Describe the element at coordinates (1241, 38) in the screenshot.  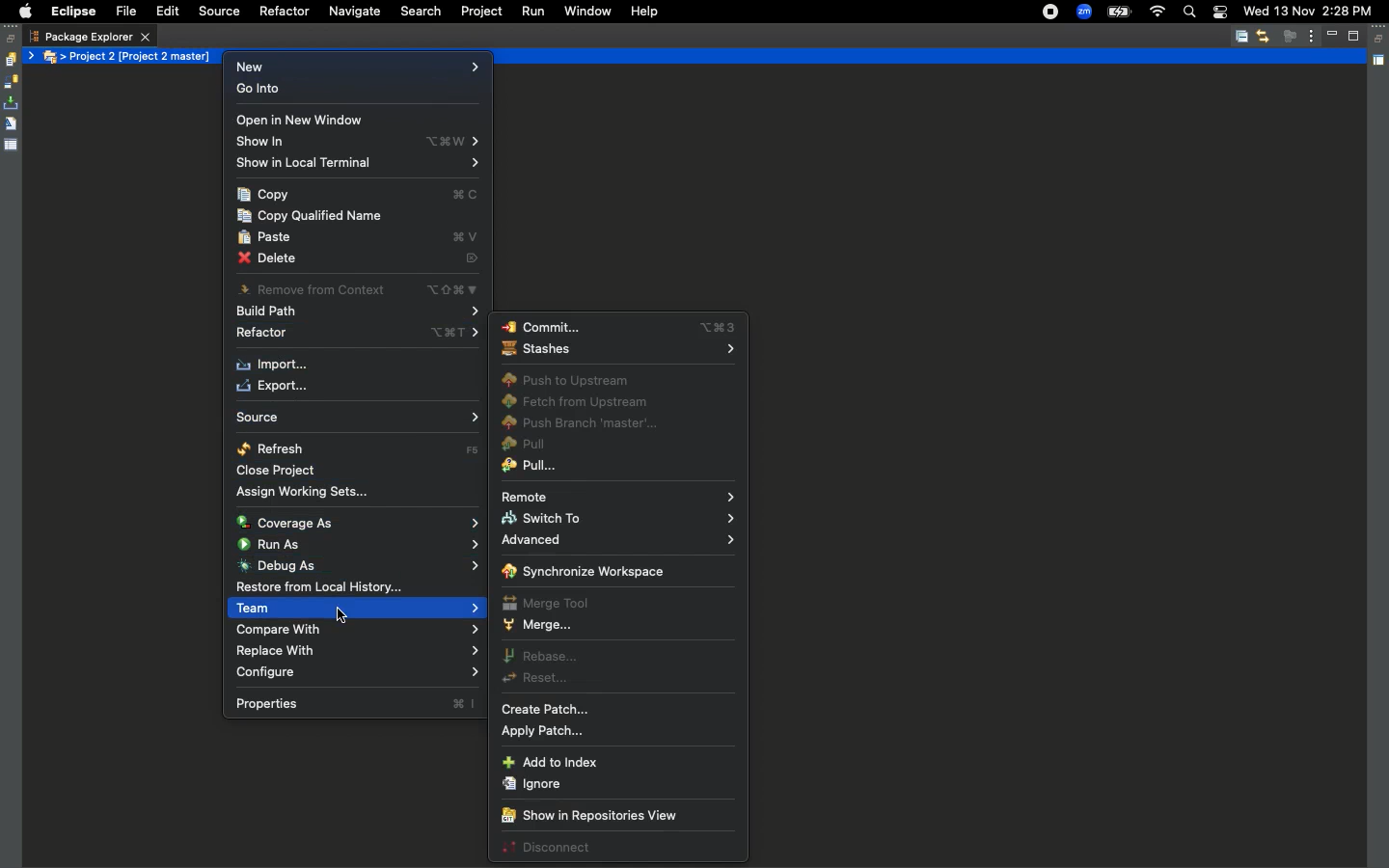
I see `Collapse all` at that location.